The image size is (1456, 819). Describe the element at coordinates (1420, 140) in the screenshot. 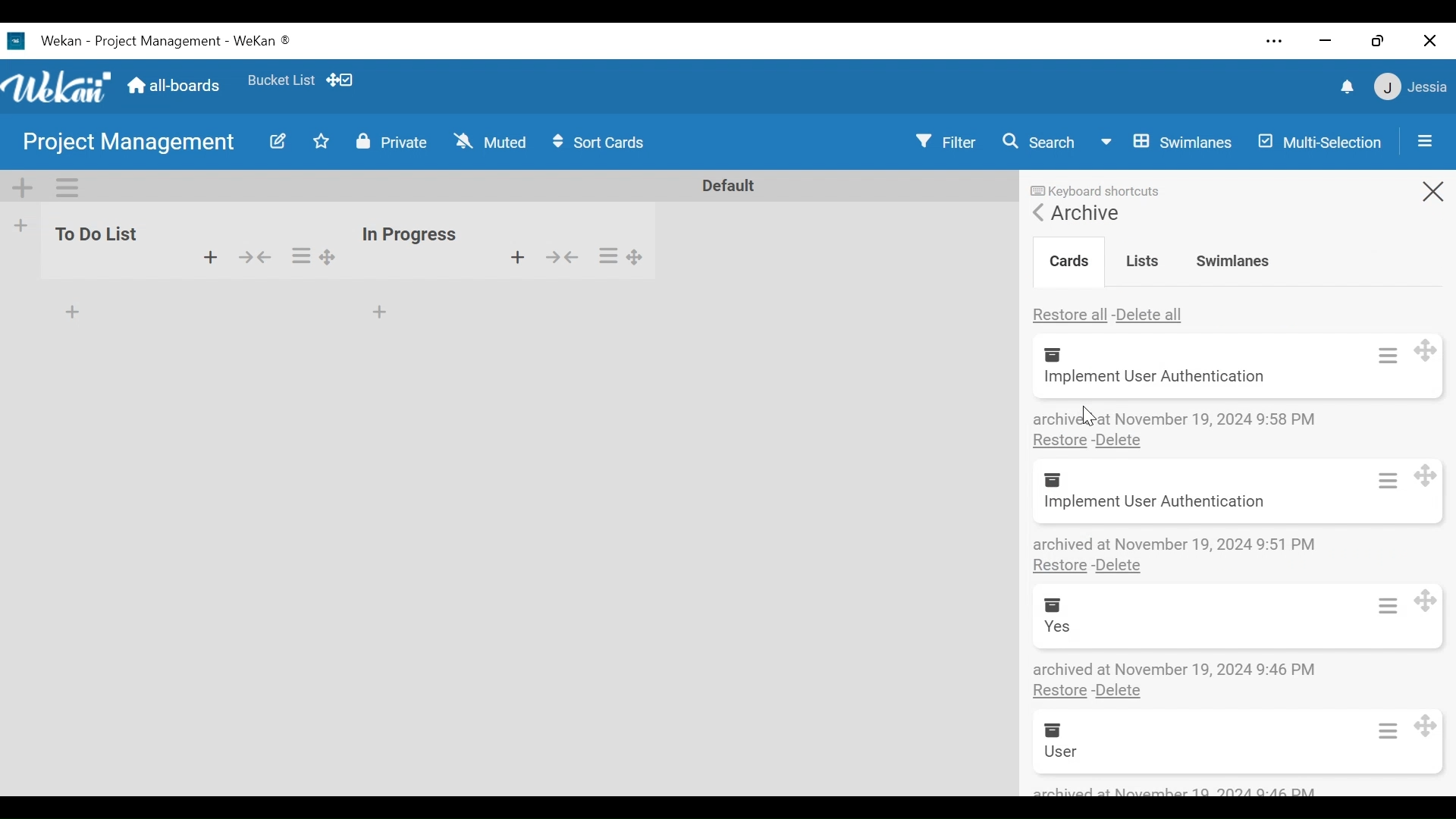

I see `Open/Close Sidebar` at that location.